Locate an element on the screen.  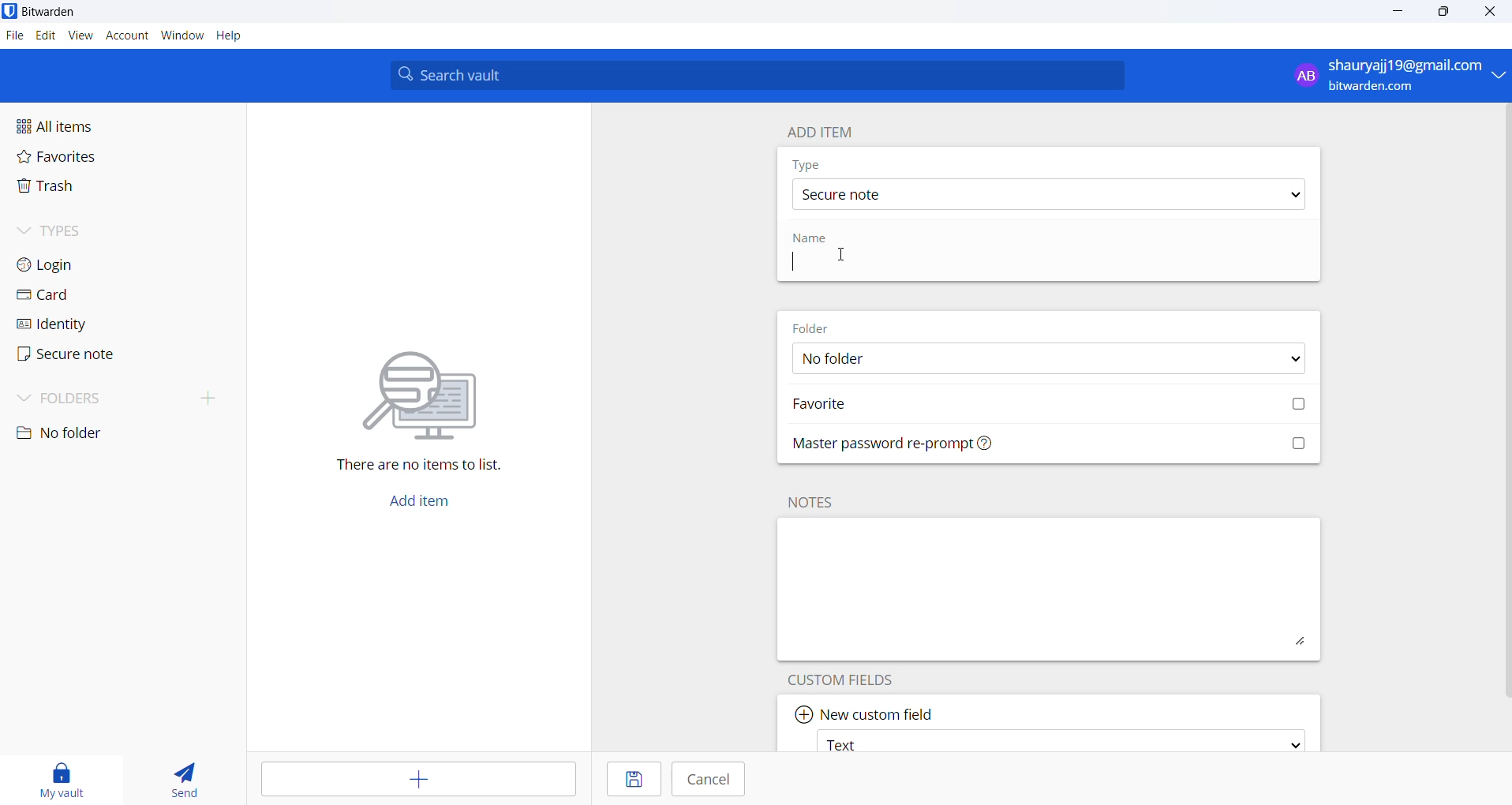
secure note  is located at coordinates (1046, 194).